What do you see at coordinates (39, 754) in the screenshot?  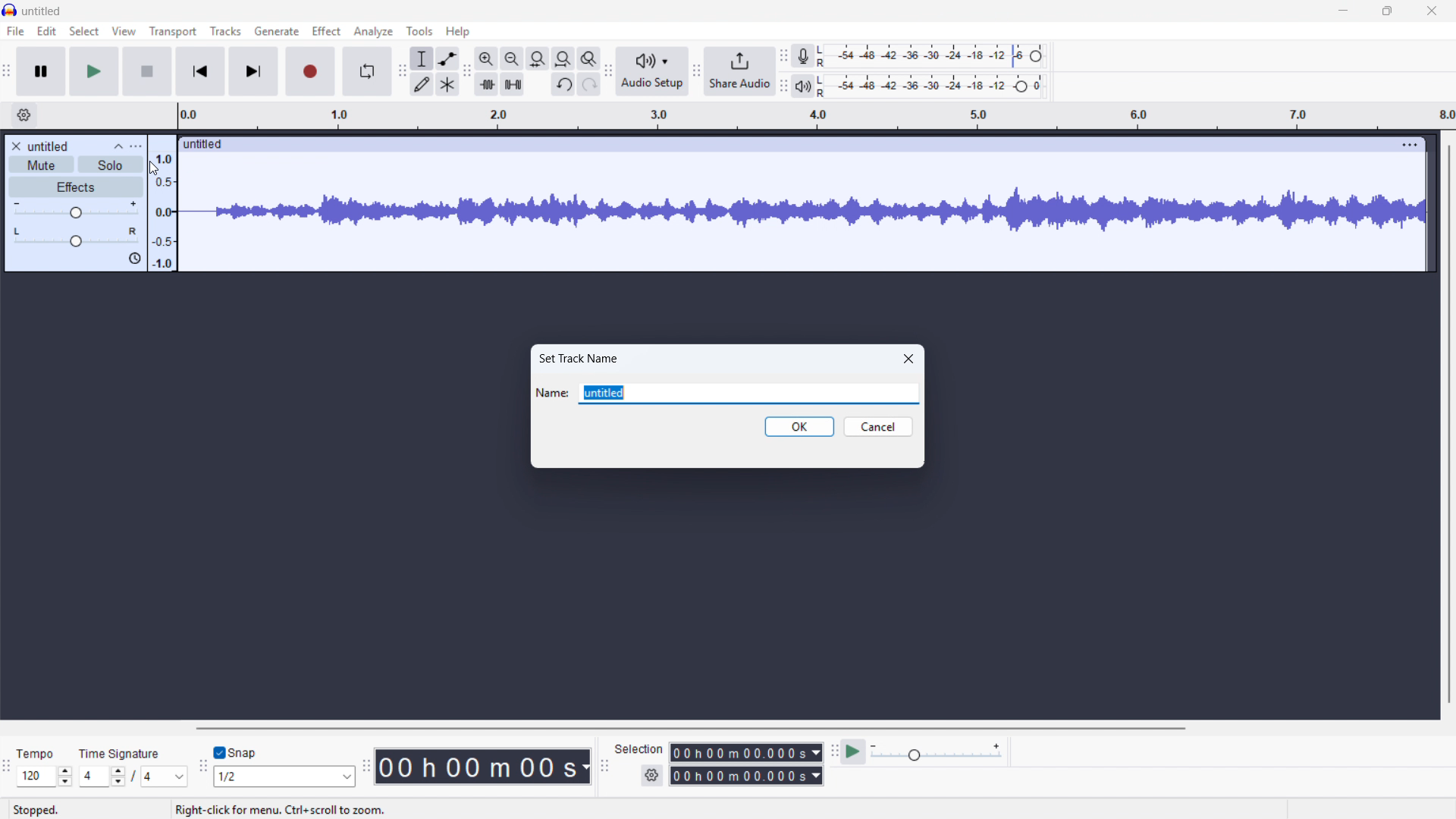 I see `Tempo` at bounding box center [39, 754].